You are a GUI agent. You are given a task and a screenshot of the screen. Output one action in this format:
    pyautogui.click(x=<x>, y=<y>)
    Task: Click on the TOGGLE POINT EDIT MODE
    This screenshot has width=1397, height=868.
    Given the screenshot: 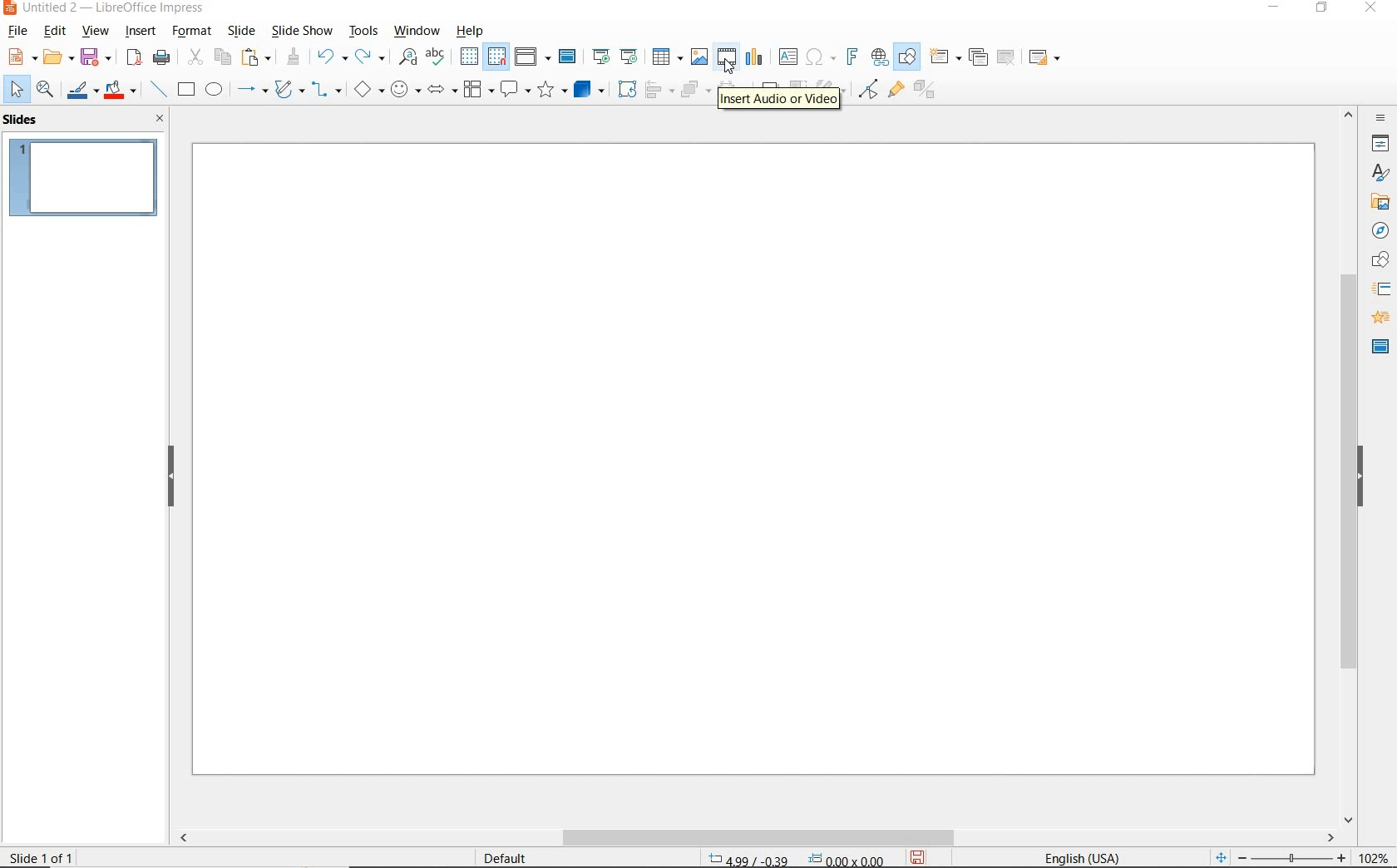 What is the action you would take?
    pyautogui.click(x=870, y=89)
    